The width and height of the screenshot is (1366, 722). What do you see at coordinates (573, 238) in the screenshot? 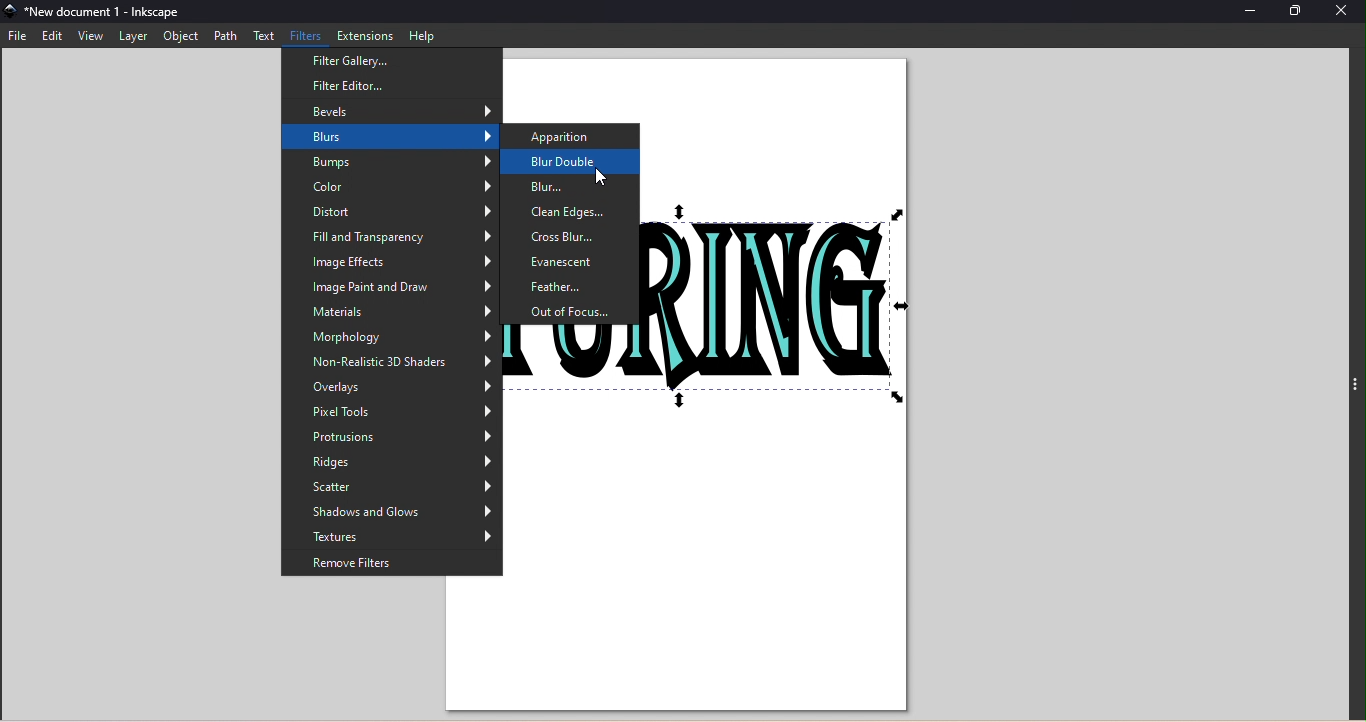
I see `Cross blur...` at bounding box center [573, 238].